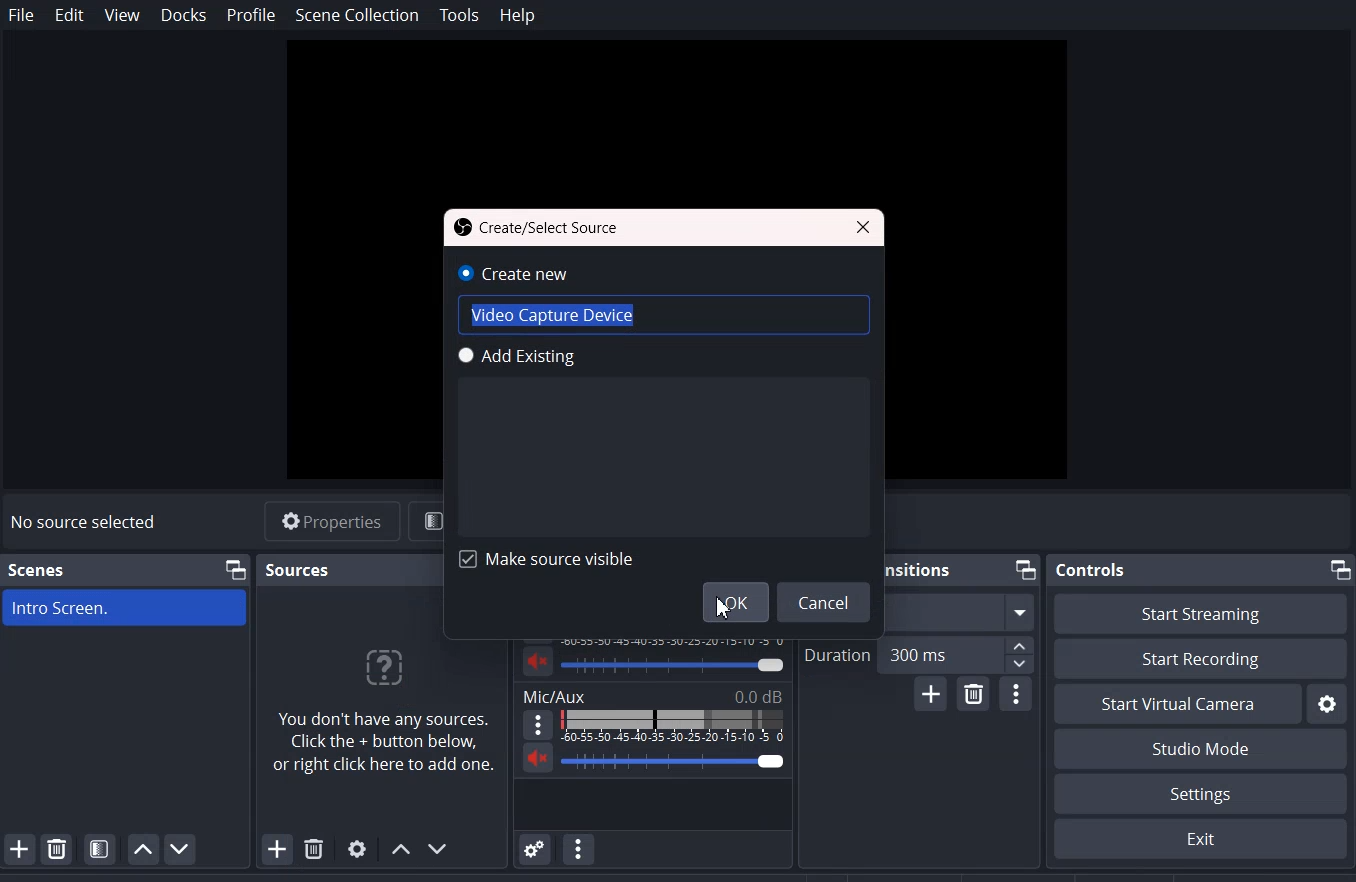 The width and height of the screenshot is (1356, 882). What do you see at coordinates (1199, 749) in the screenshot?
I see `Studio Mode` at bounding box center [1199, 749].